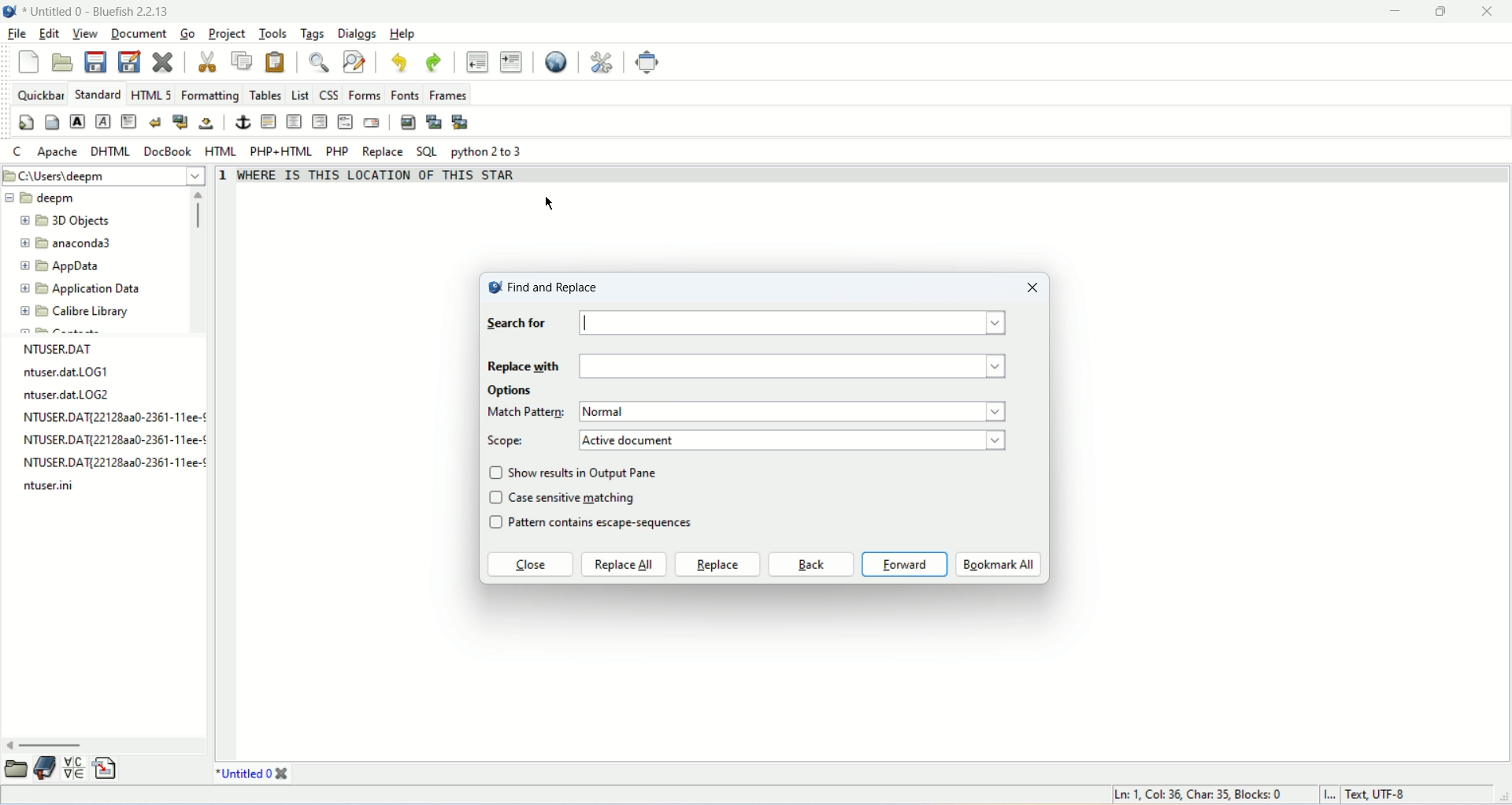  I want to click on replace with, so click(523, 365).